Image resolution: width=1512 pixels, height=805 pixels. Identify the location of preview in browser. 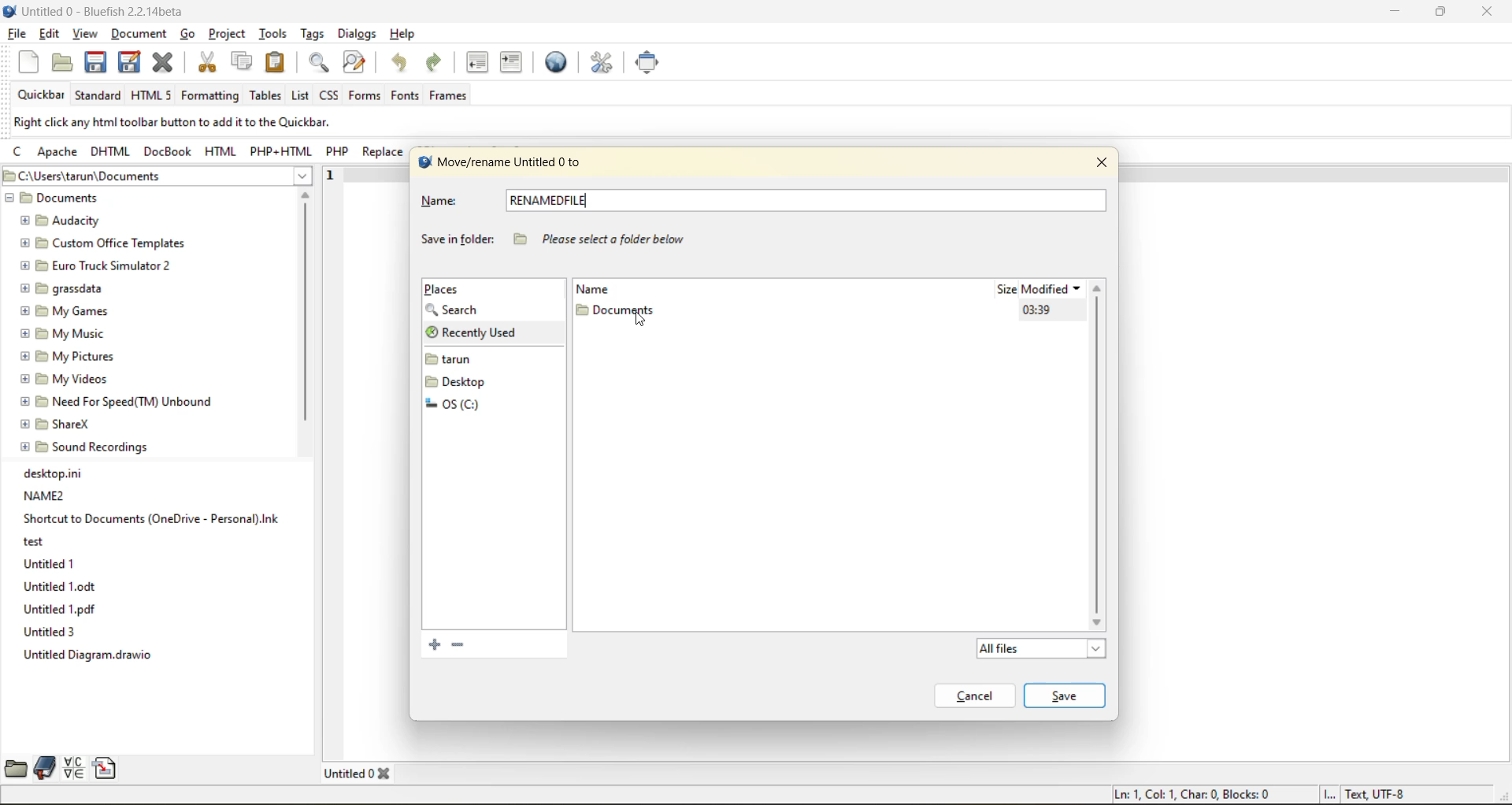
(556, 62).